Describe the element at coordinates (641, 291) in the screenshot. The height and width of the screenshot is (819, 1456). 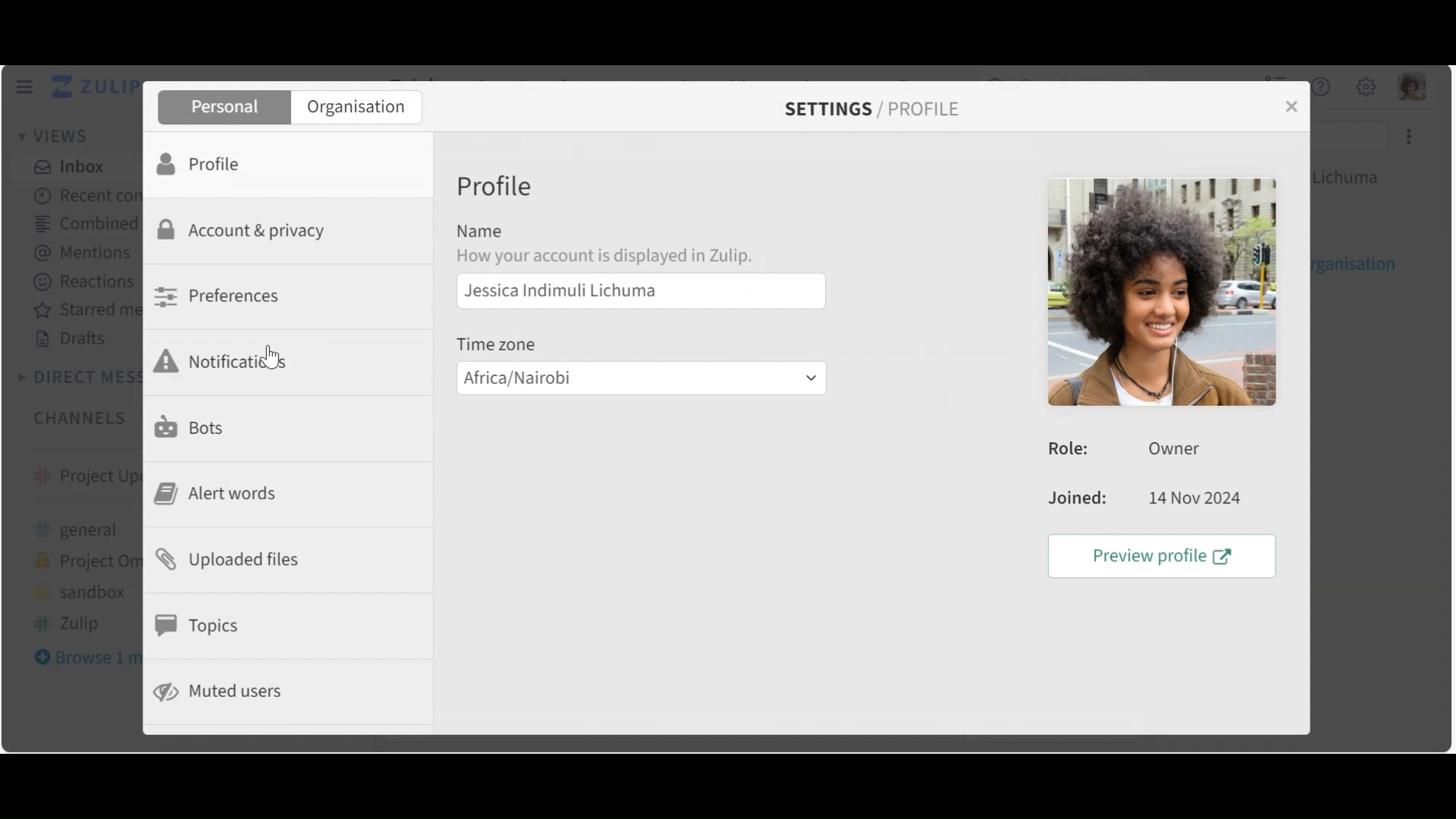
I see `Name Field` at that location.